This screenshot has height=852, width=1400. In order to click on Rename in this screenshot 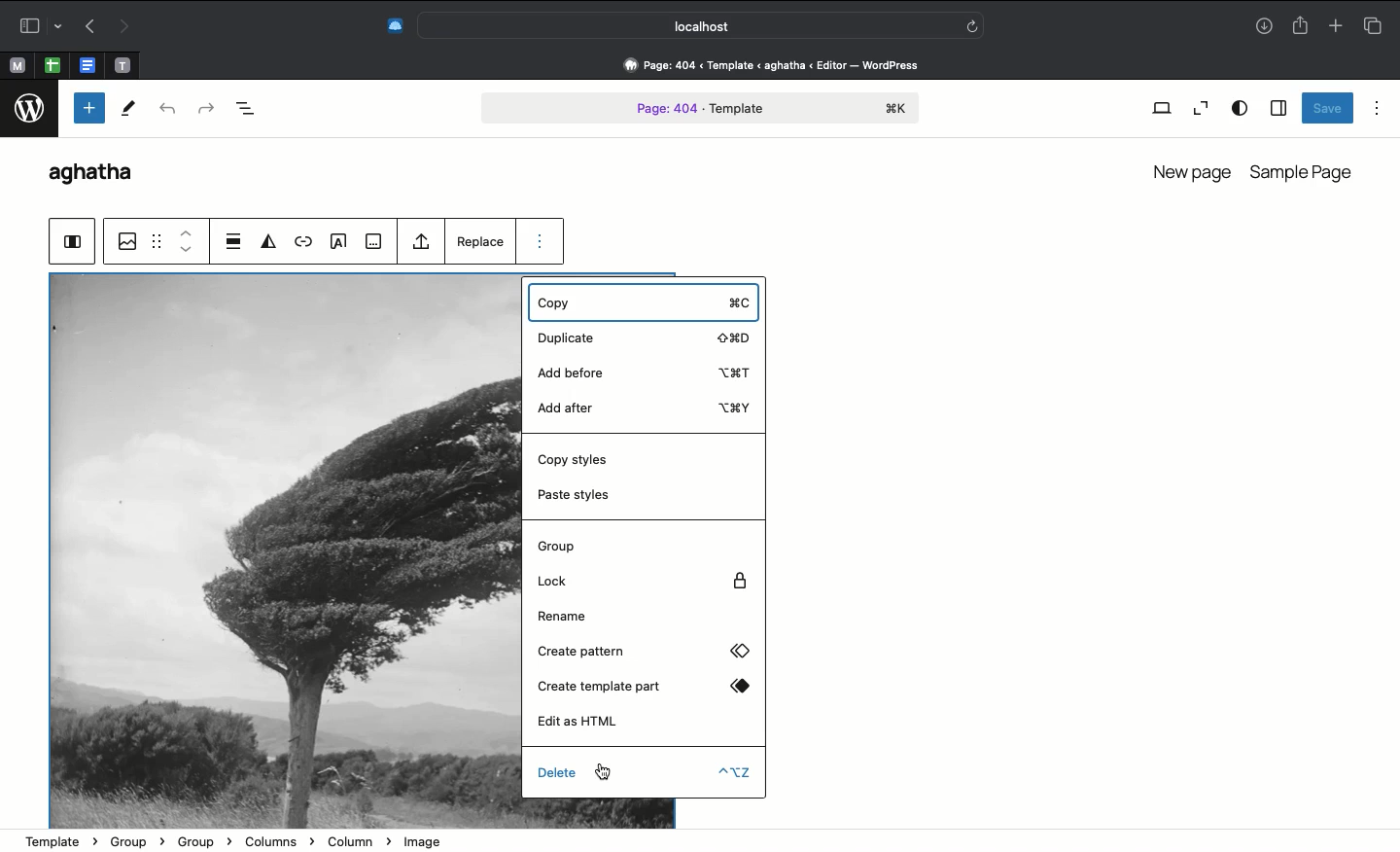, I will do `click(577, 617)`.